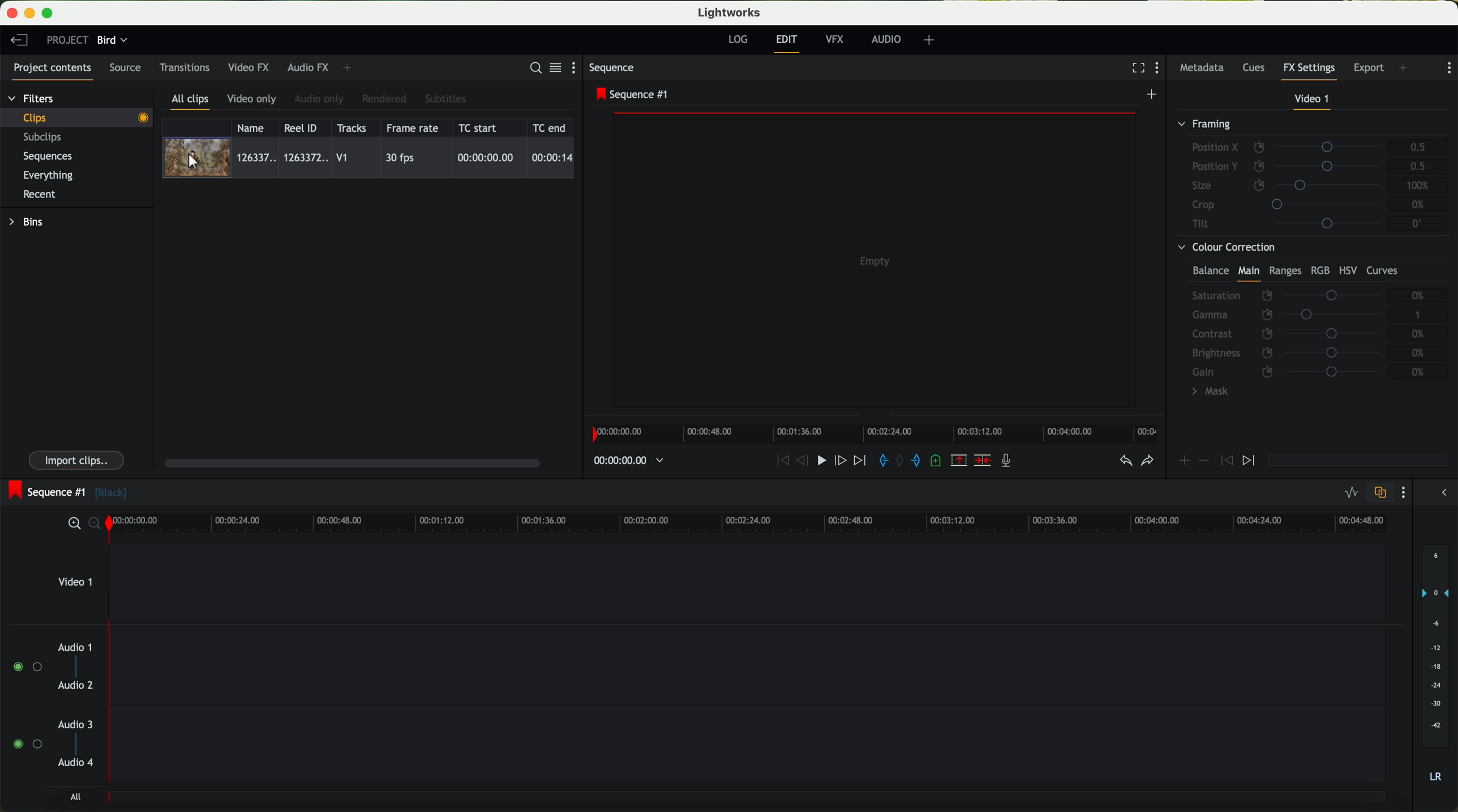 The width and height of the screenshot is (1458, 812). I want to click on toggle between list and title view, so click(554, 67).